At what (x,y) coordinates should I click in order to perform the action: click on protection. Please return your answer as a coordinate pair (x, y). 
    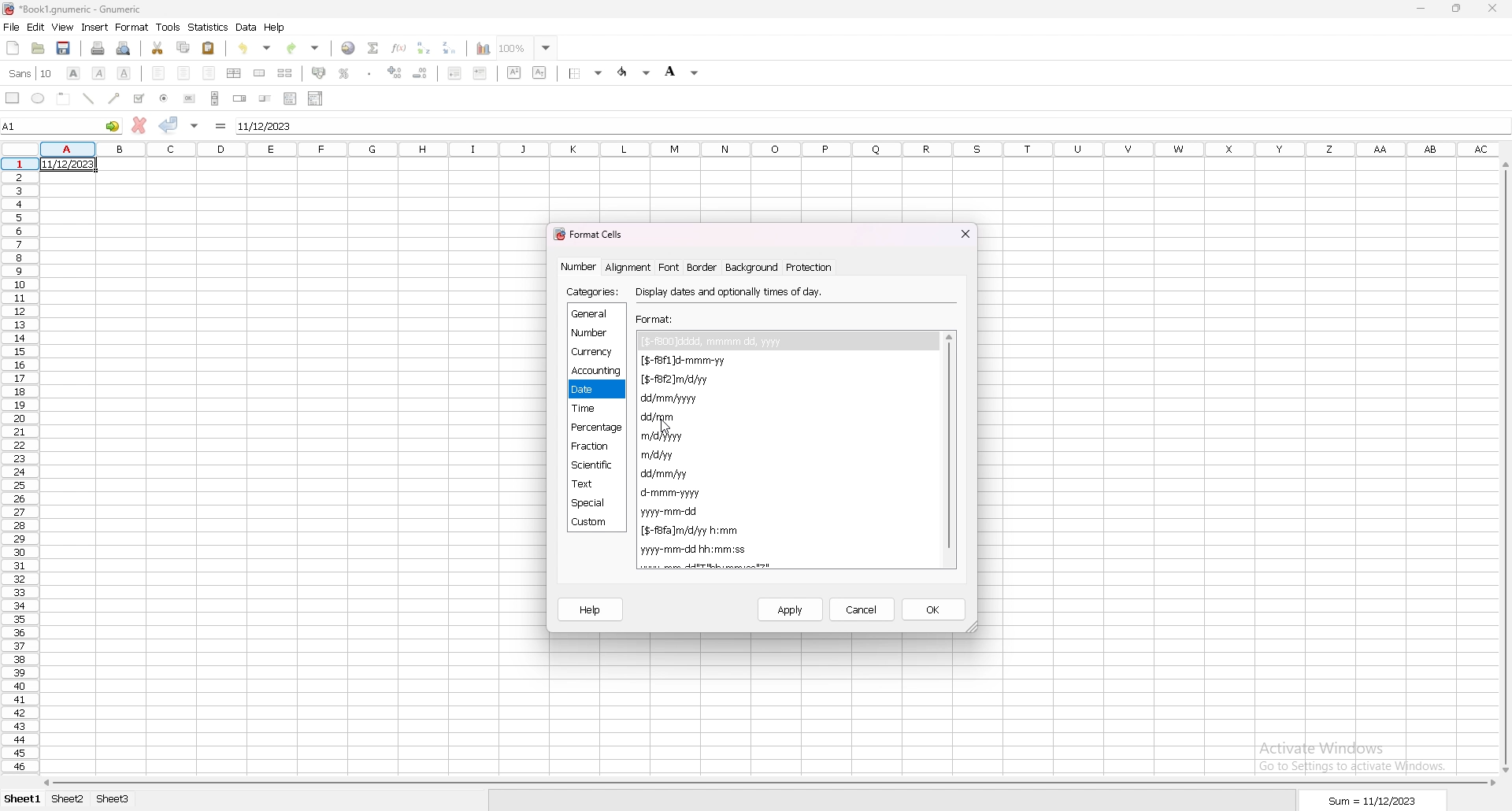
    Looking at the image, I should click on (810, 267).